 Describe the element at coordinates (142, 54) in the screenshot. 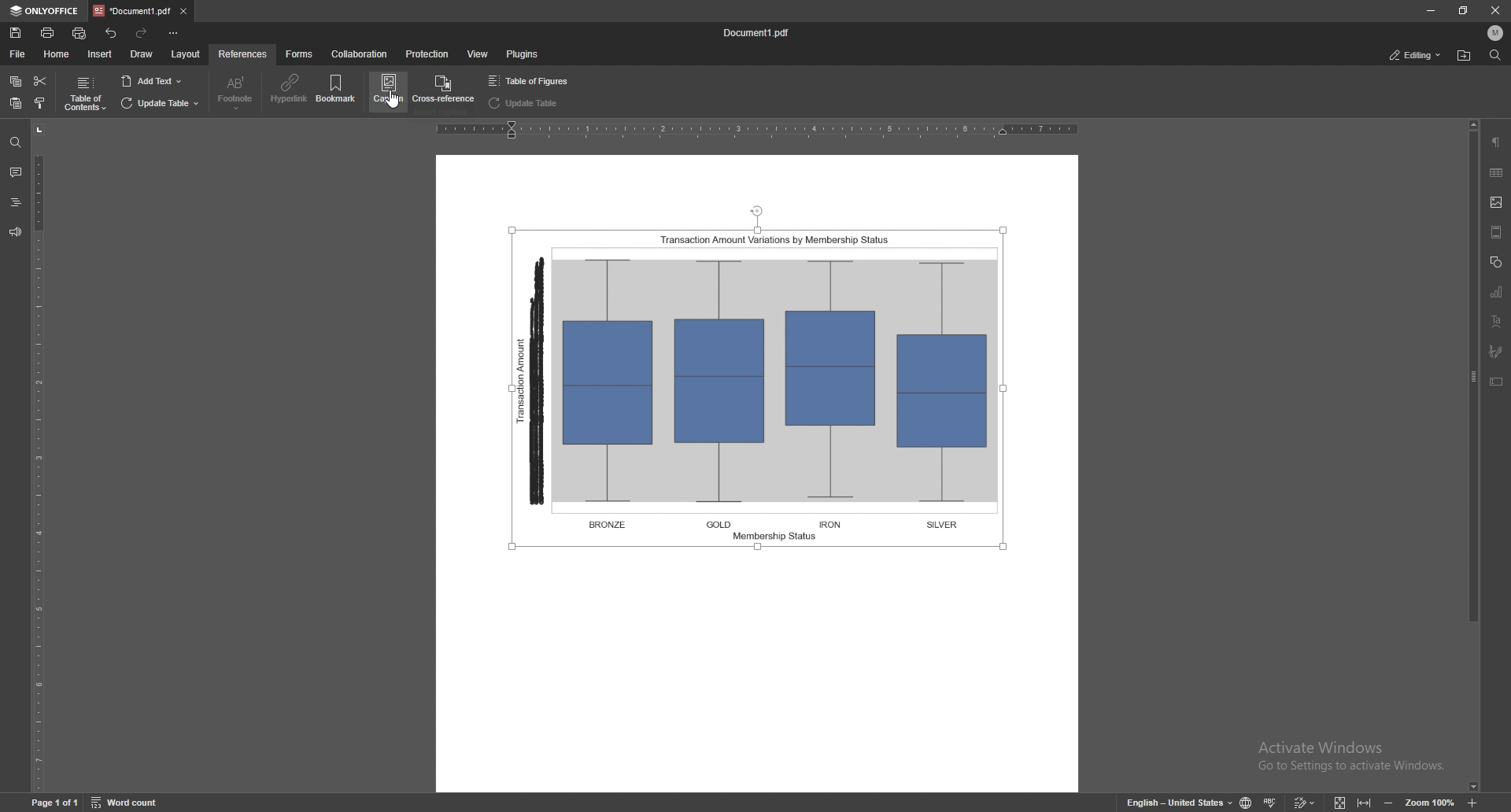

I see `draw` at that location.